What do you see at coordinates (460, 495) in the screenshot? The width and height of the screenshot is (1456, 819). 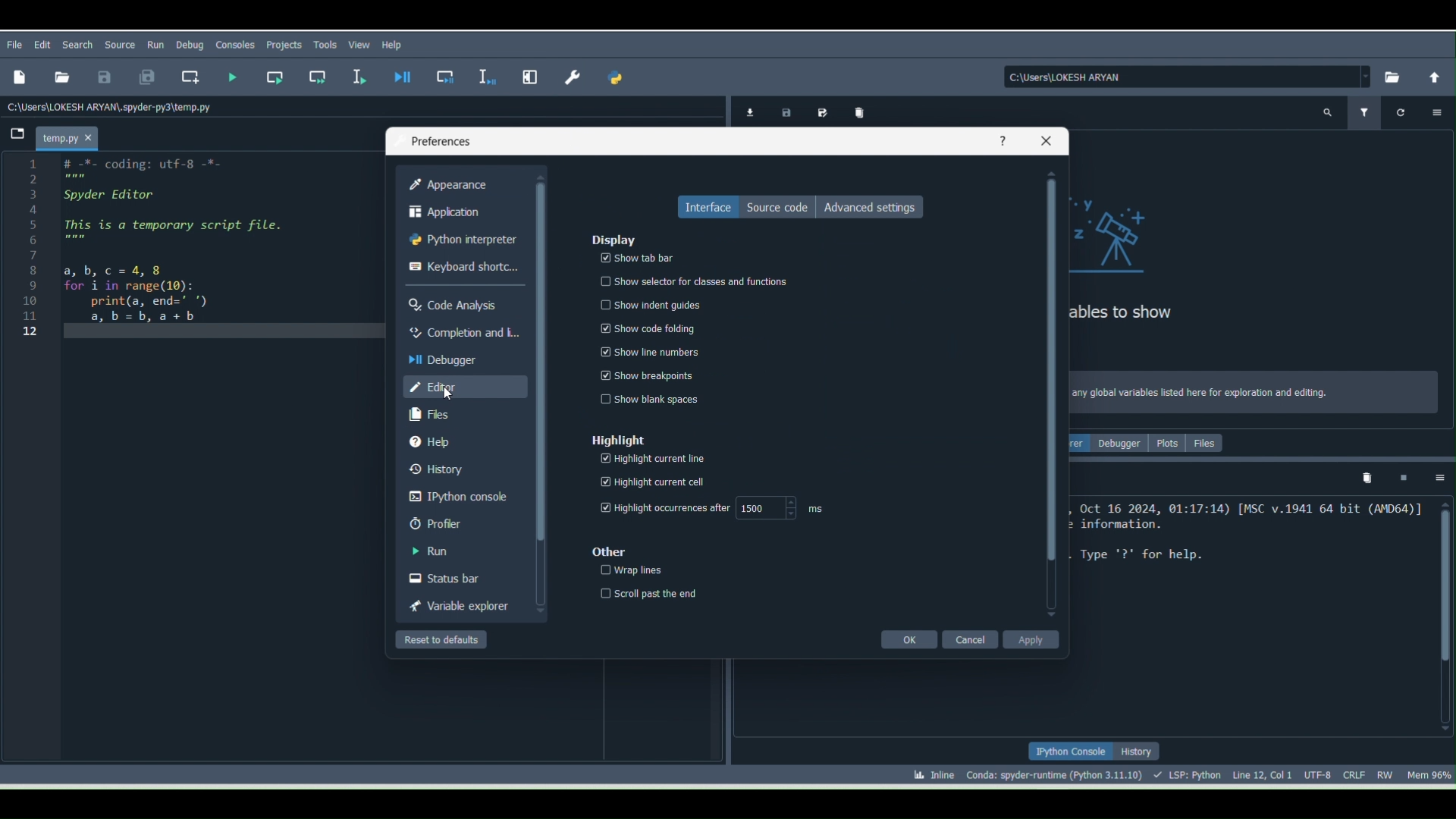 I see `IPython Console` at bounding box center [460, 495].